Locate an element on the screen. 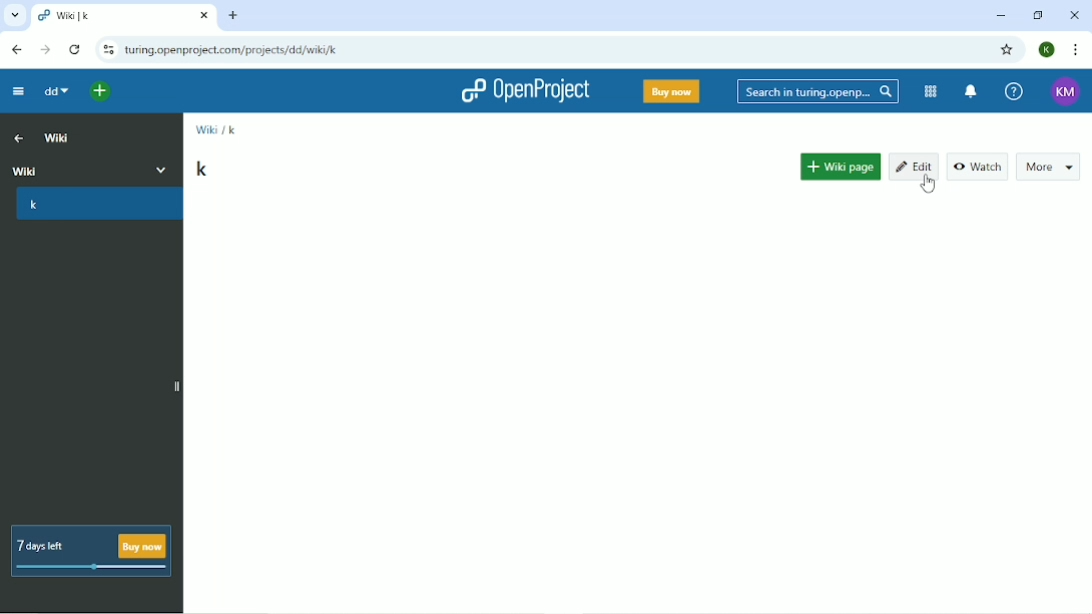 This screenshot has width=1092, height=614. Back is located at coordinates (15, 48).